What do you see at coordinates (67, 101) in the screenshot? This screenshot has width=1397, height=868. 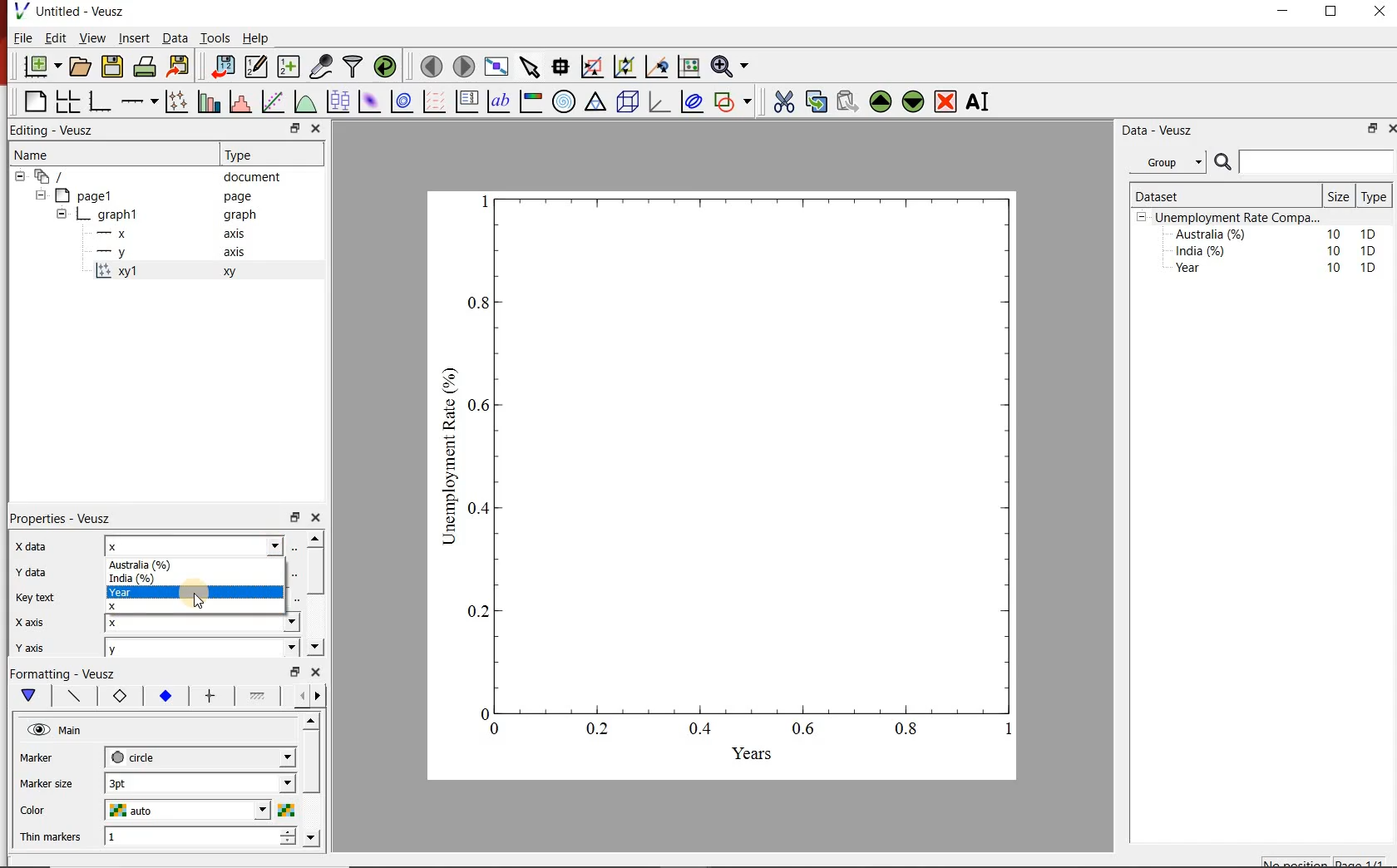 I see `arrange graphs` at bounding box center [67, 101].